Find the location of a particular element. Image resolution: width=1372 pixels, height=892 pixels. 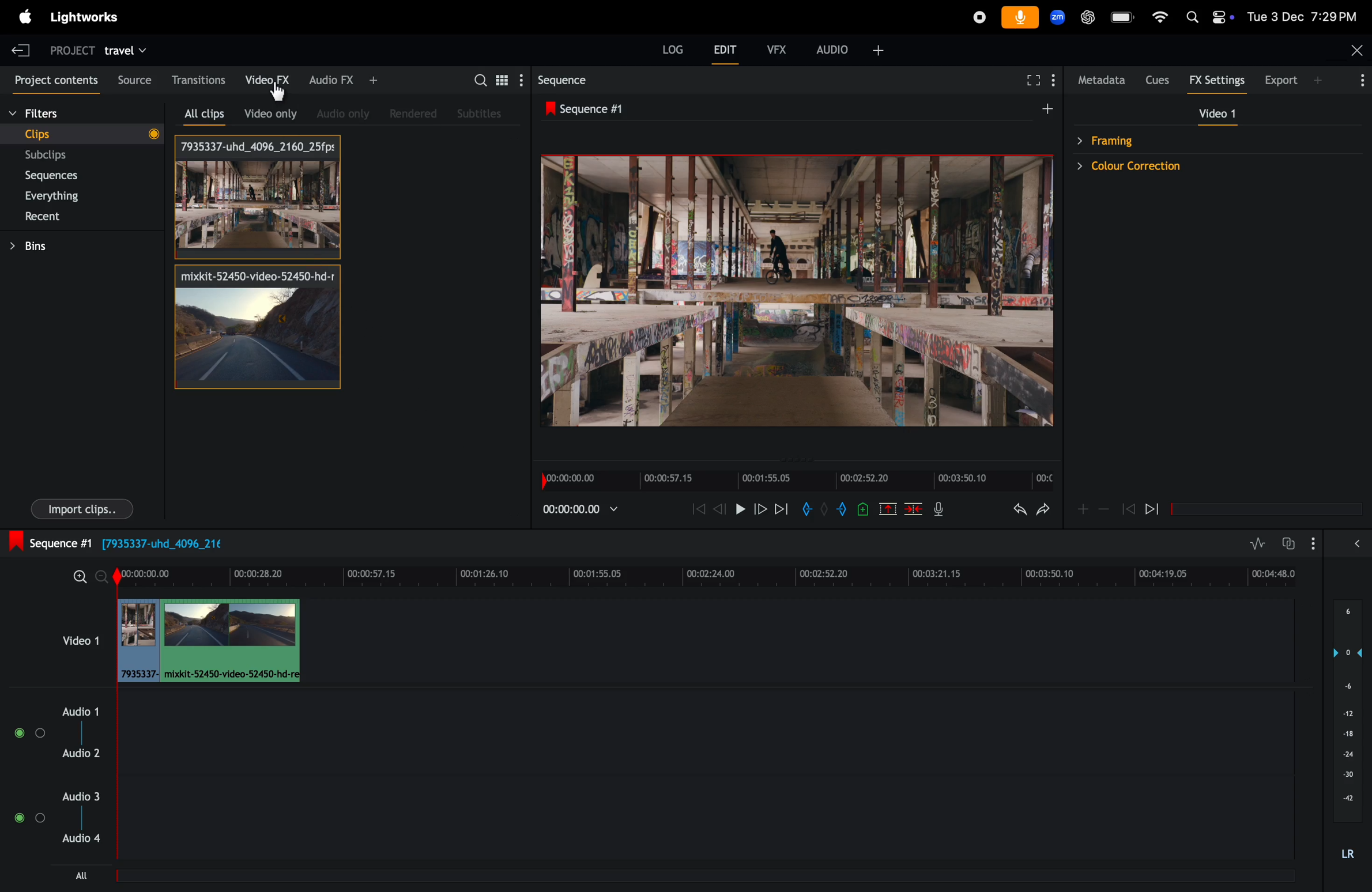

pause is located at coordinates (738, 509).